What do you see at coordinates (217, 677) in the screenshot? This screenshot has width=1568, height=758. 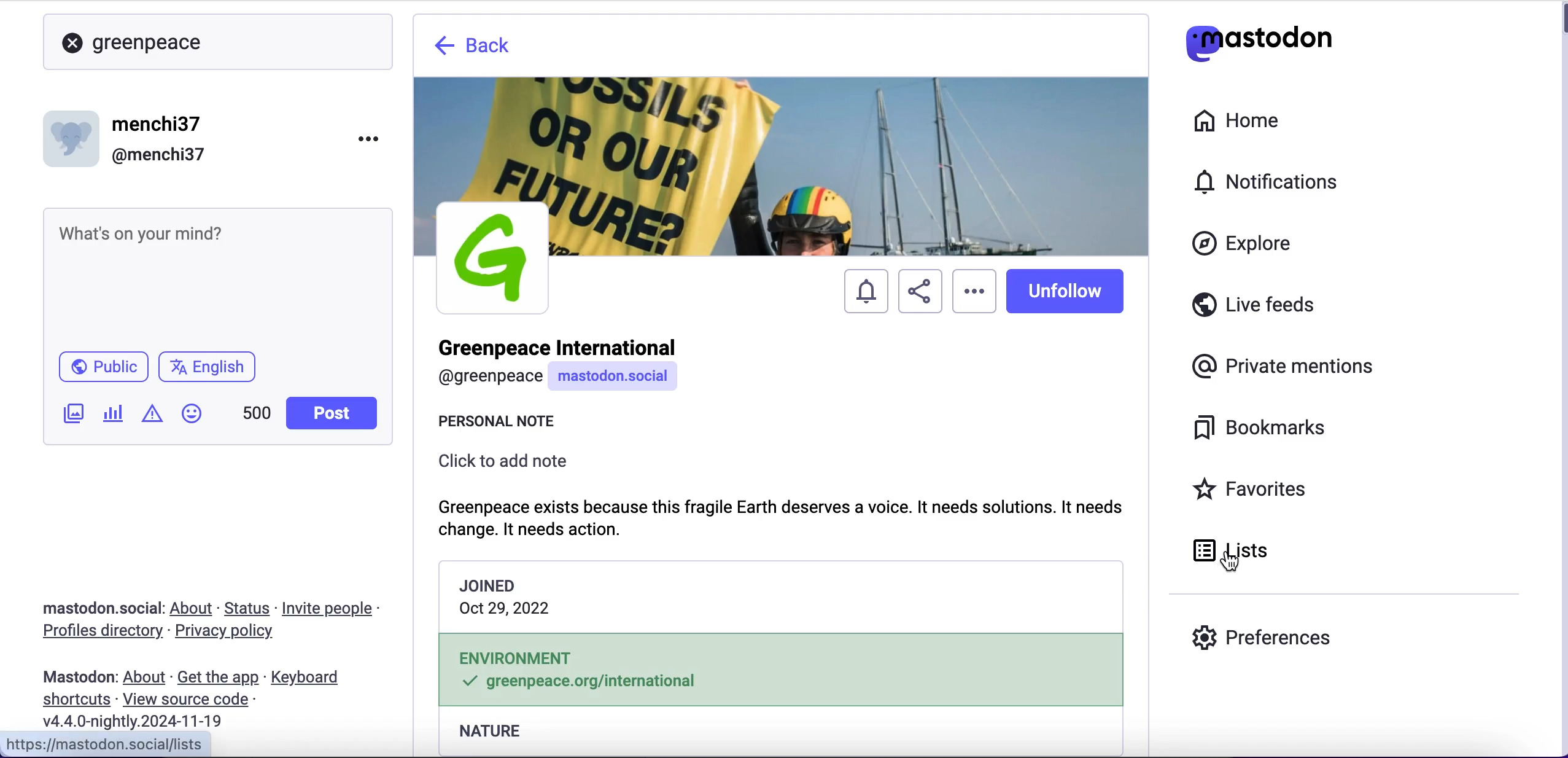 I see `get the app` at bounding box center [217, 677].